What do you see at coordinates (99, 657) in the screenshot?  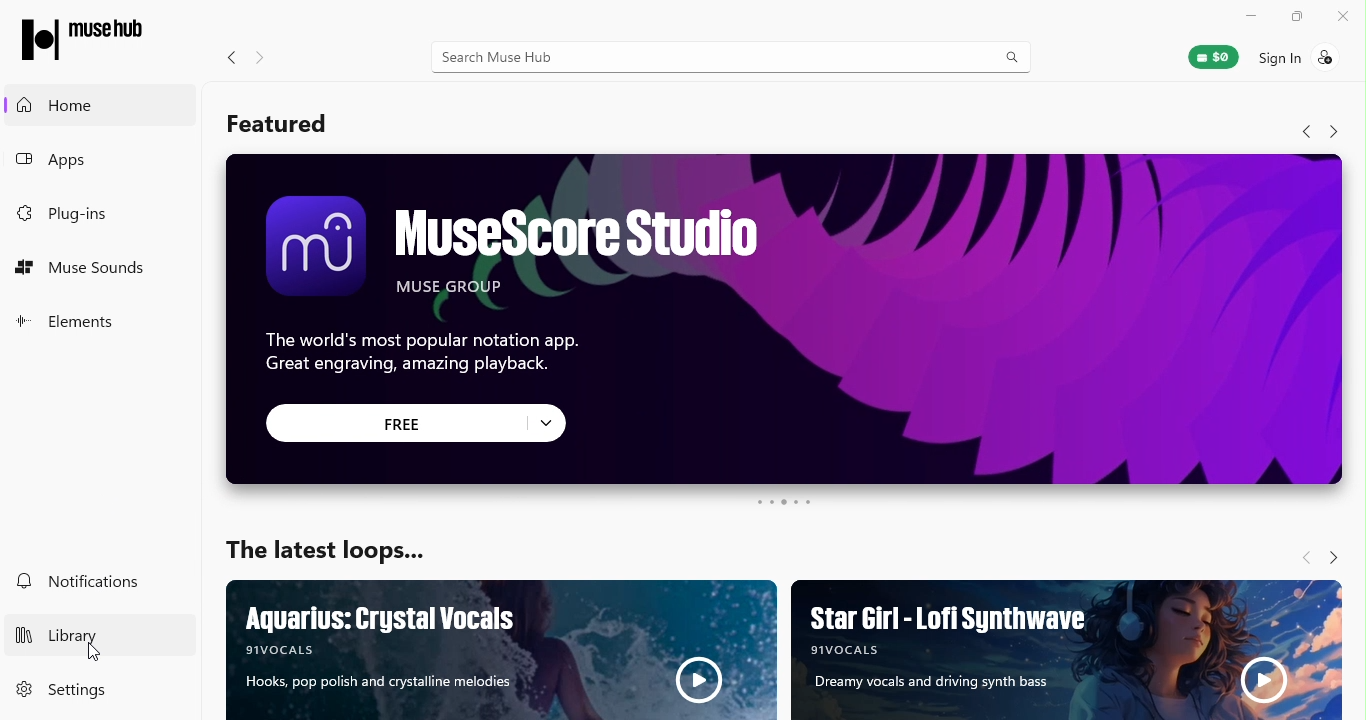 I see `Cursor` at bounding box center [99, 657].